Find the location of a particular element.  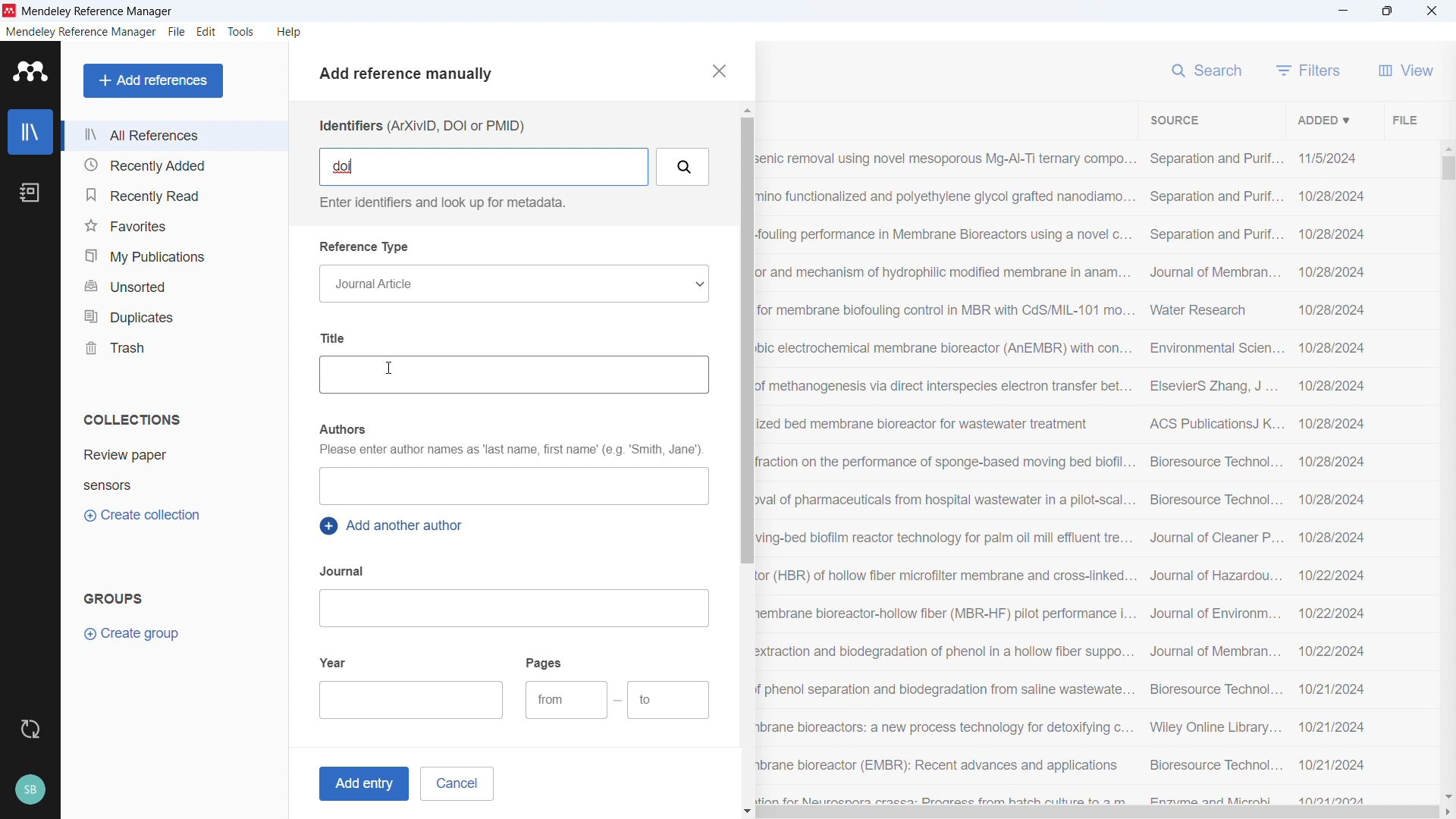

Reference type is located at coordinates (366, 247).